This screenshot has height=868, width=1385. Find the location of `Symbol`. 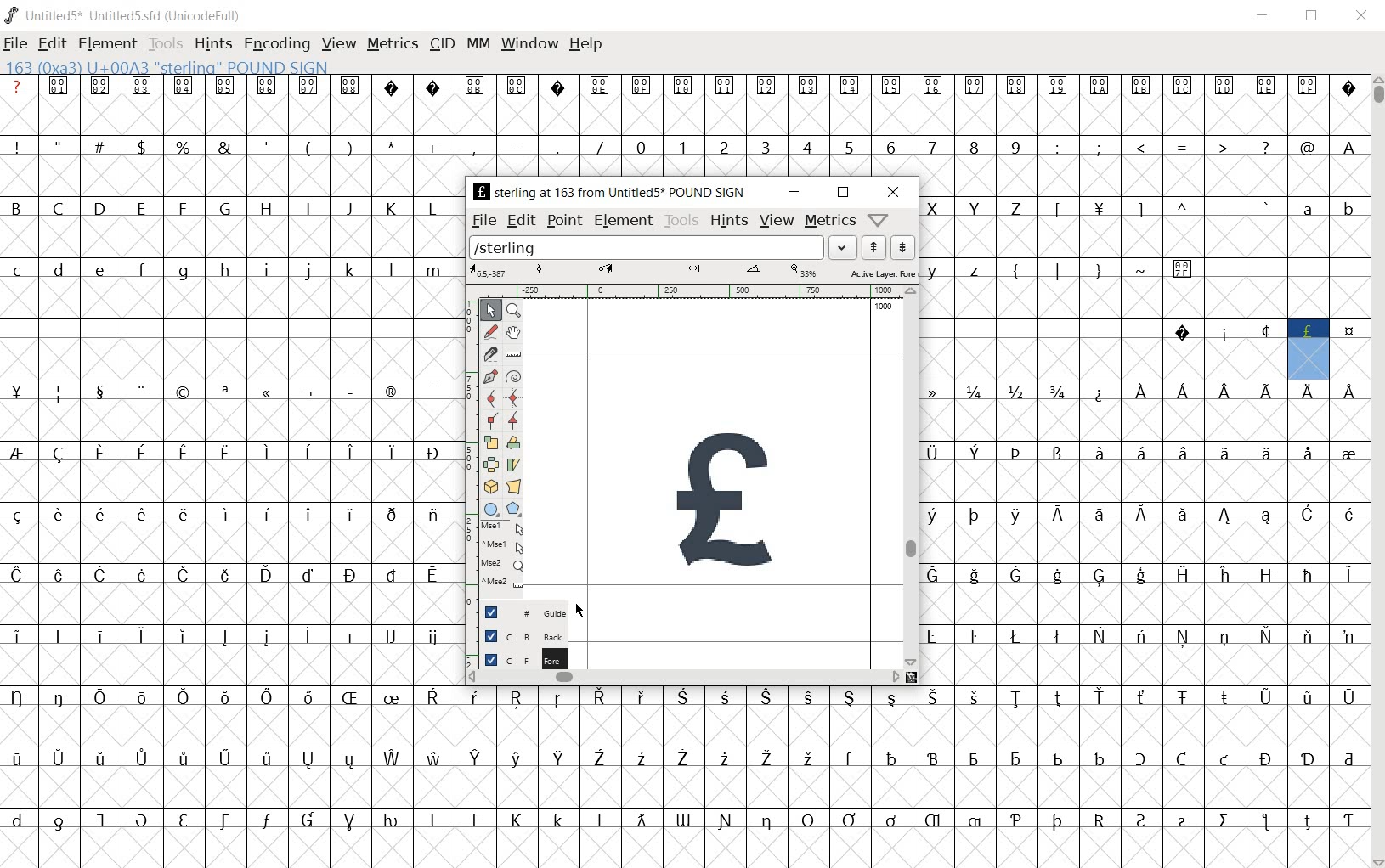

Symbol is located at coordinates (1141, 637).